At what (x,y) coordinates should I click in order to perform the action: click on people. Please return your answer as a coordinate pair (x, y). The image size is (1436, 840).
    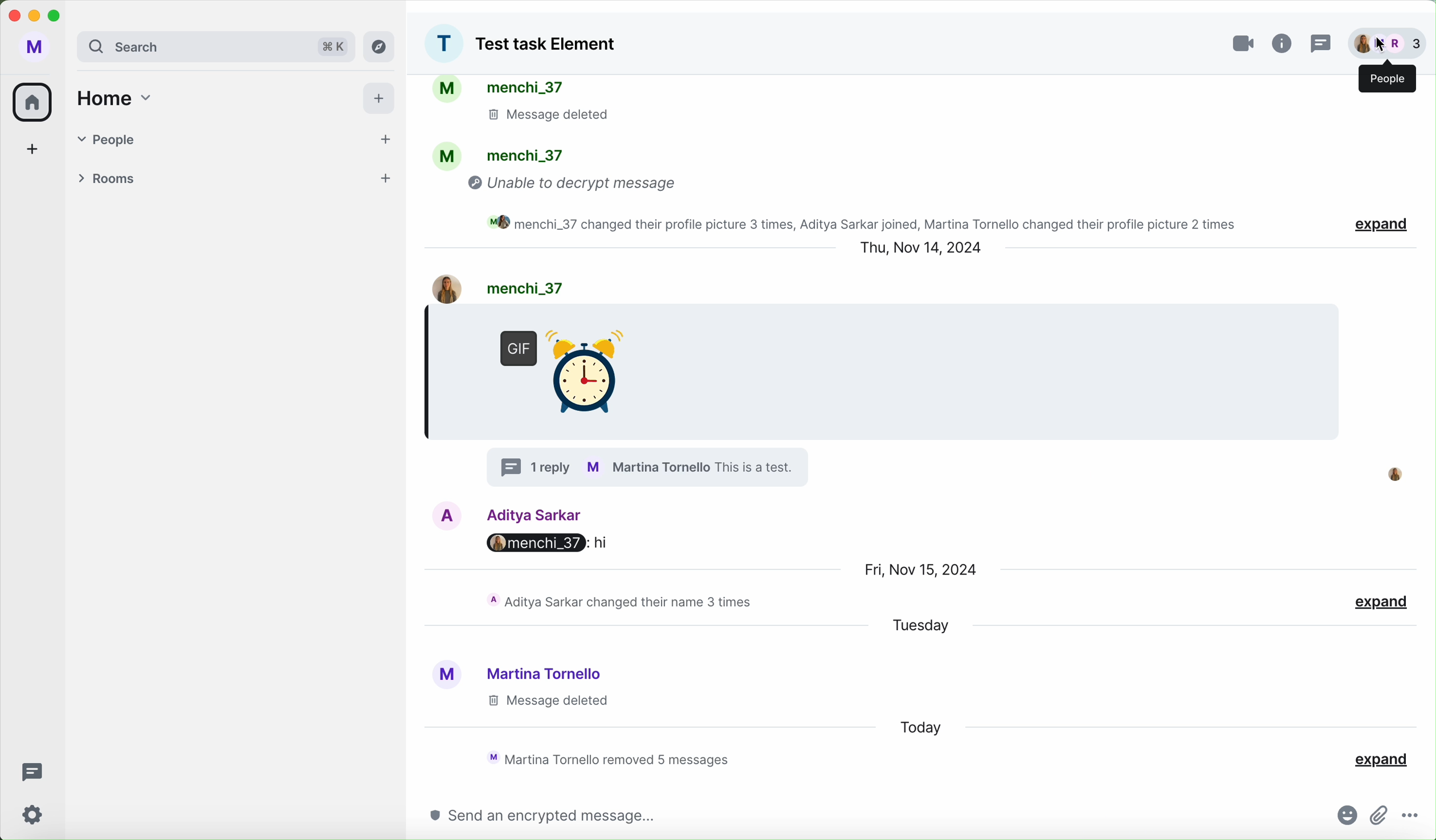
    Looking at the image, I should click on (1389, 44).